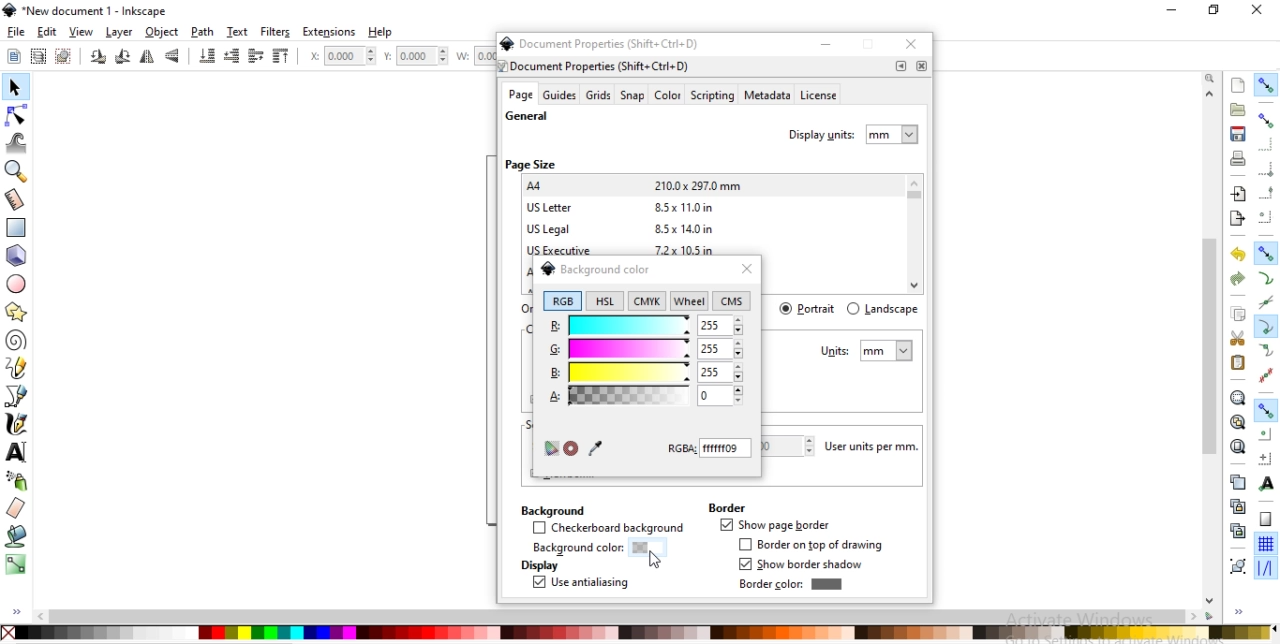 The height and width of the screenshot is (644, 1280). Describe the element at coordinates (571, 449) in the screenshot. I see `out of gamut` at that location.